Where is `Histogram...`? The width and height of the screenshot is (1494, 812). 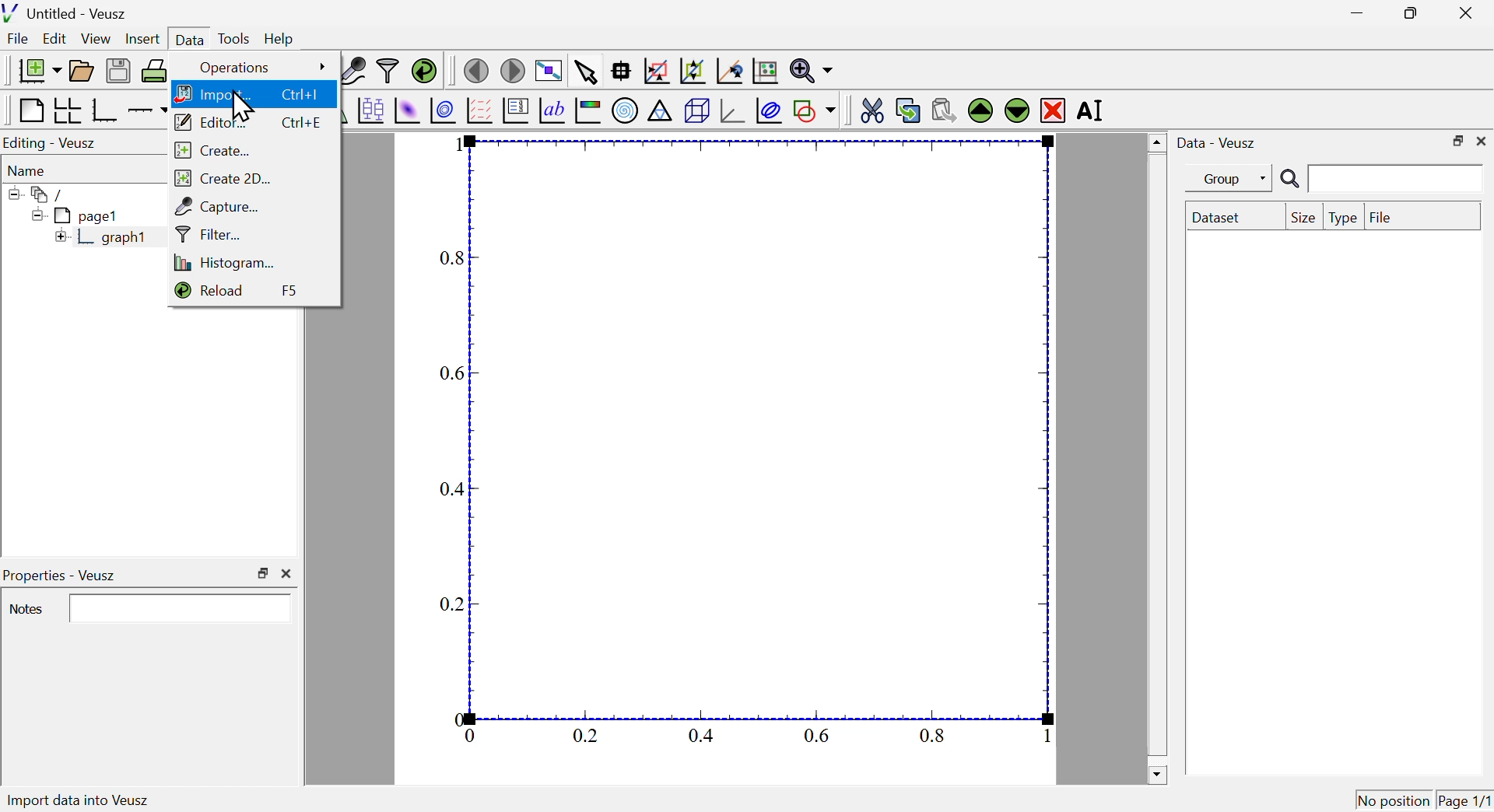 Histogram... is located at coordinates (233, 263).